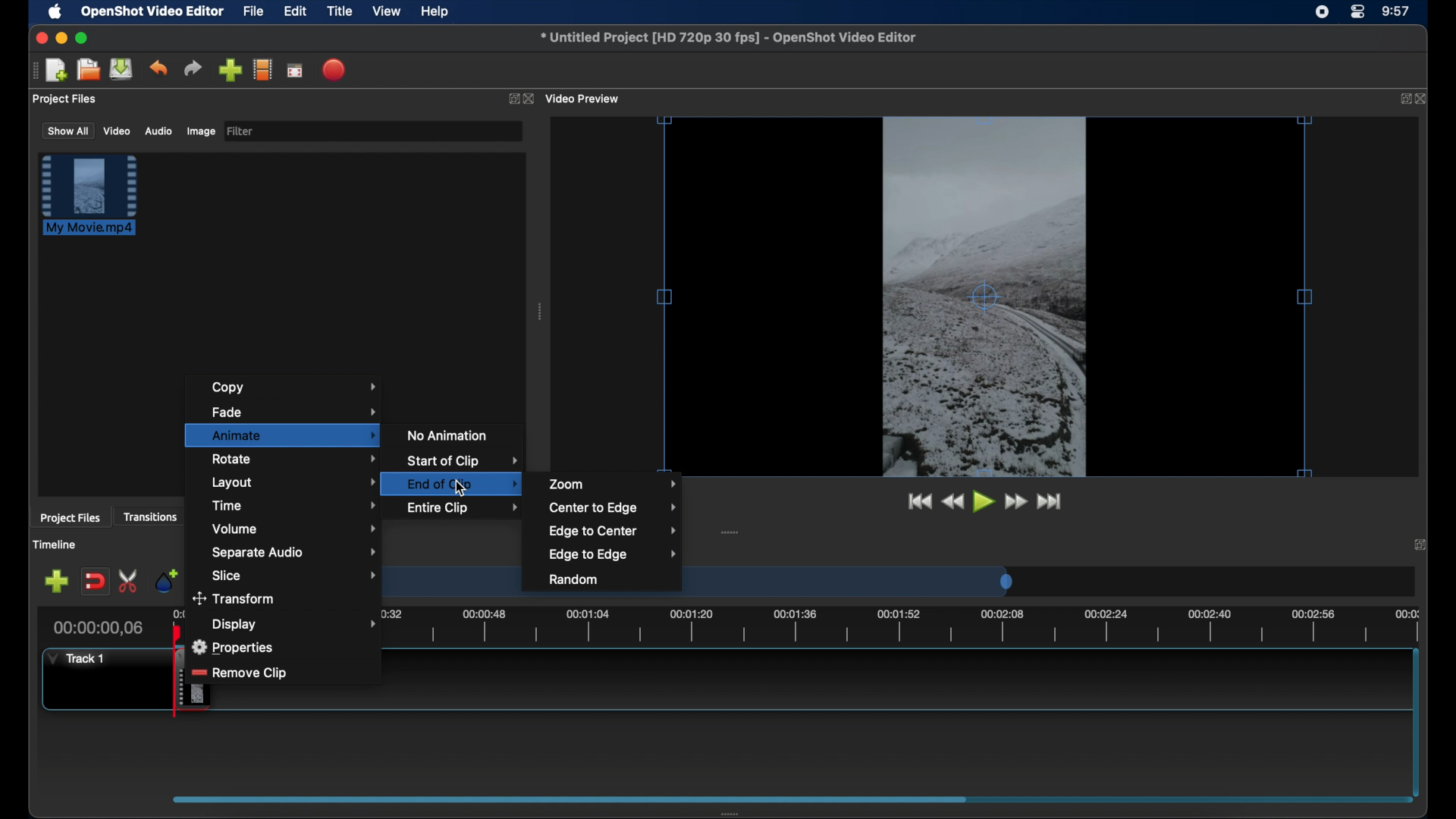  Describe the element at coordinates (180, 615) in the screenshot. I see `0.00` at that location.